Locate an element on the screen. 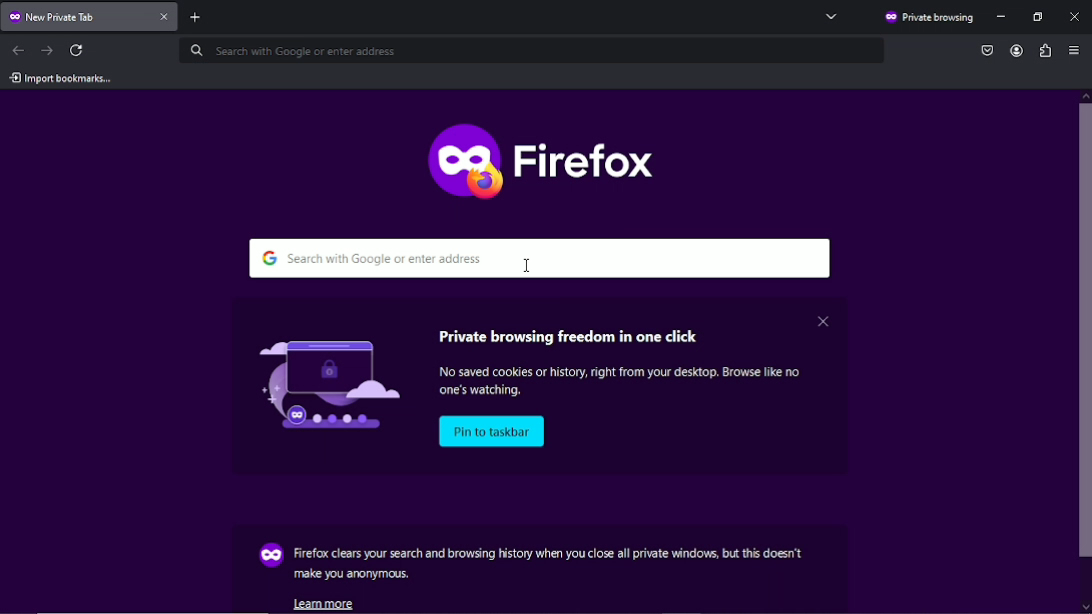 Image resolution: width=1092 pixels, height=614 pixels. import bookmarks is located at coordinates (60, 78).